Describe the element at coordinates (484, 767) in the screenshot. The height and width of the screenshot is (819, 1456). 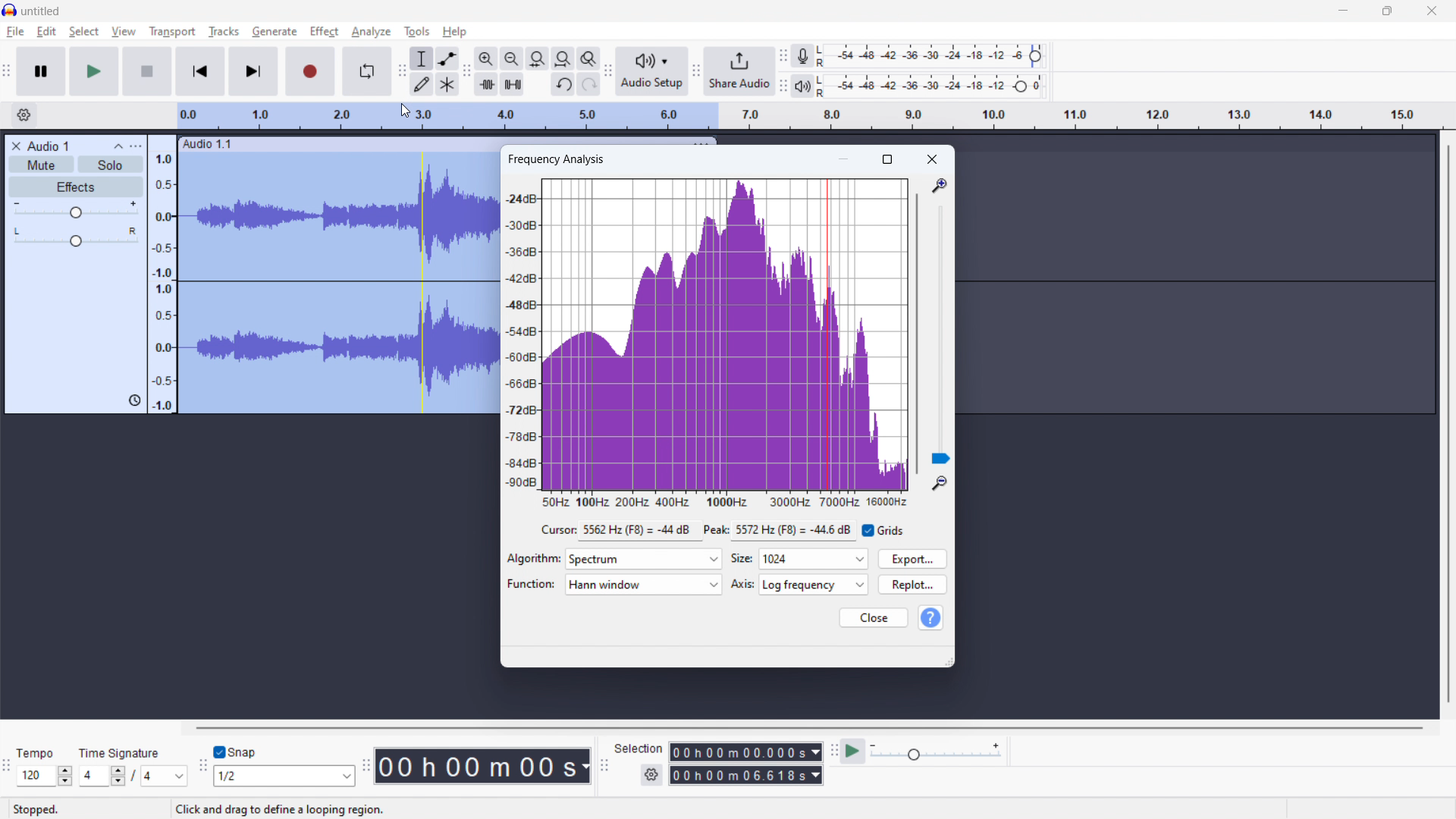
I see `timestamp` at that location.